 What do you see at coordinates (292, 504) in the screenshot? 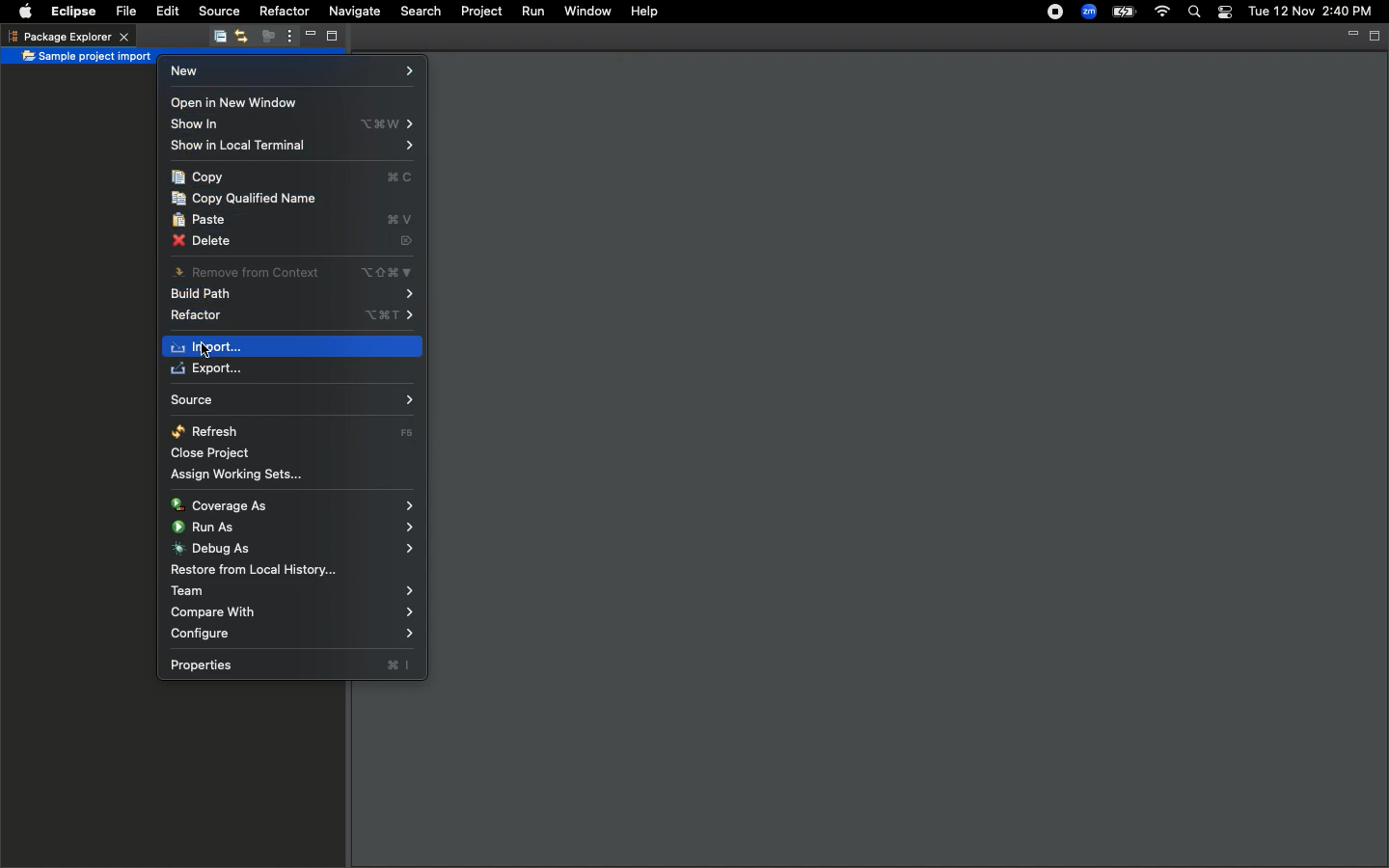
I see `Coverage as` at bounding box center [292, 504].